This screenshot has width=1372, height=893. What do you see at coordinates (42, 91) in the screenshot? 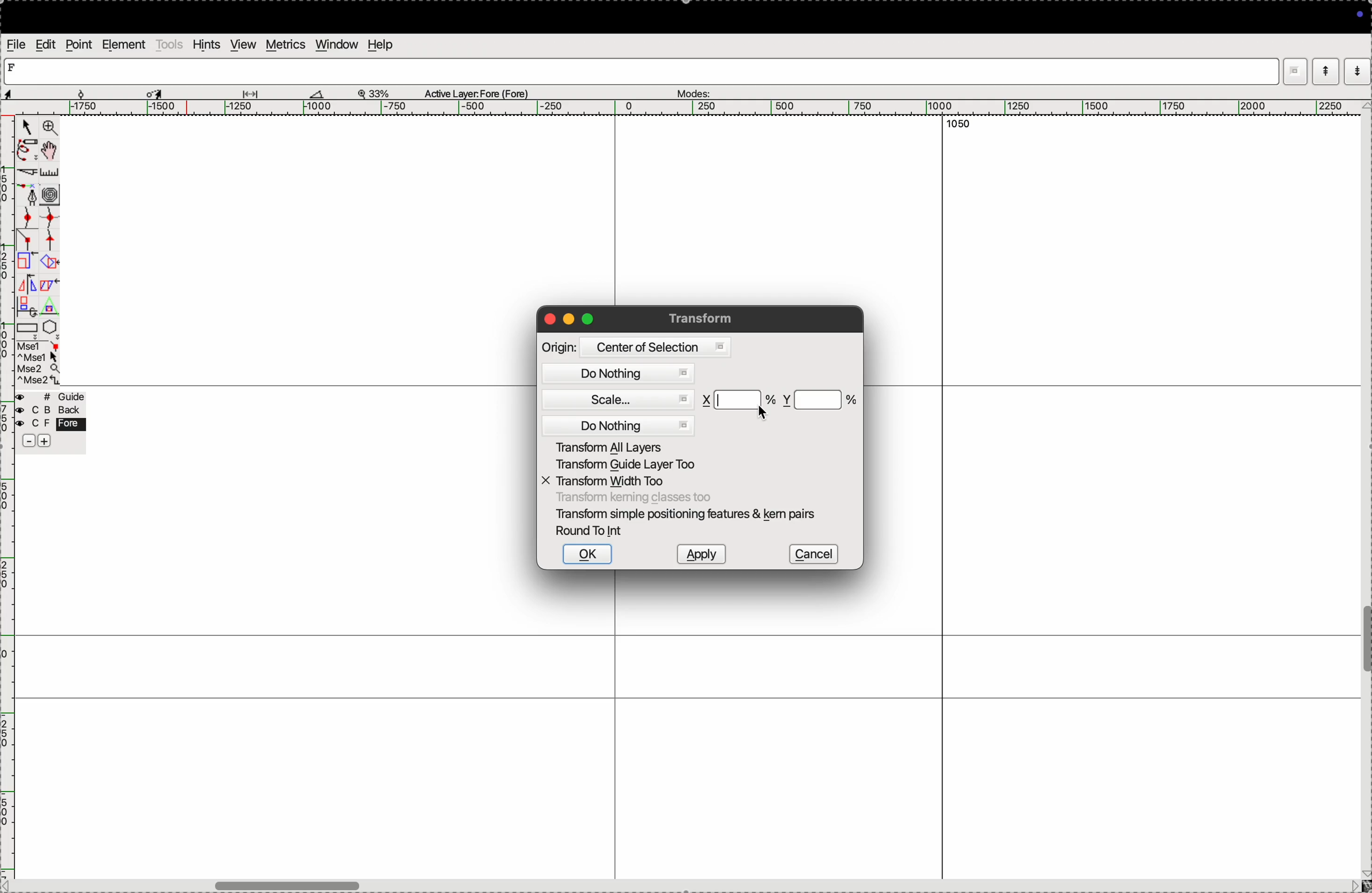
I see `aspects` at bounding box center [42, 91].